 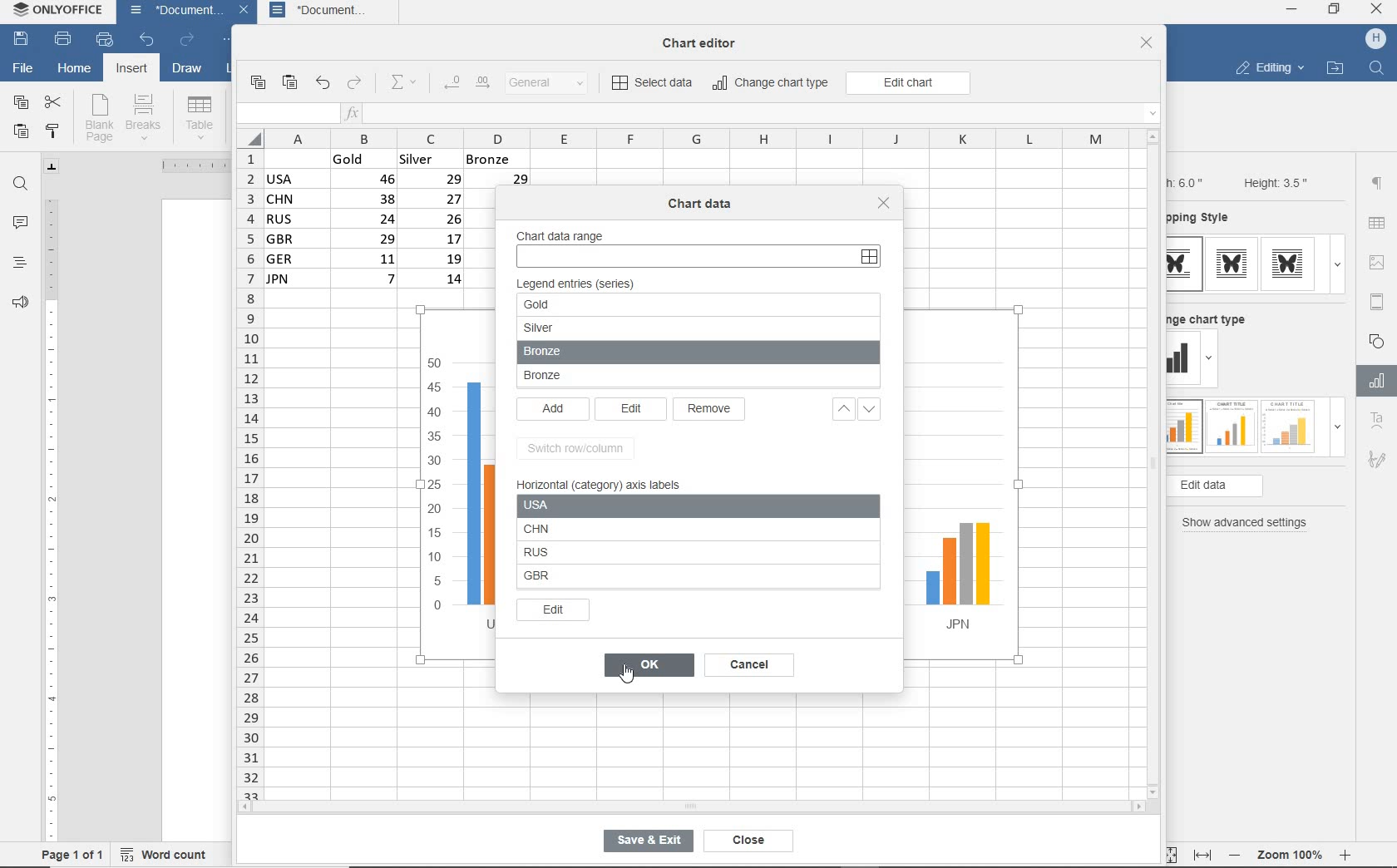 I want to click on table, so click(x=1378, y=224).